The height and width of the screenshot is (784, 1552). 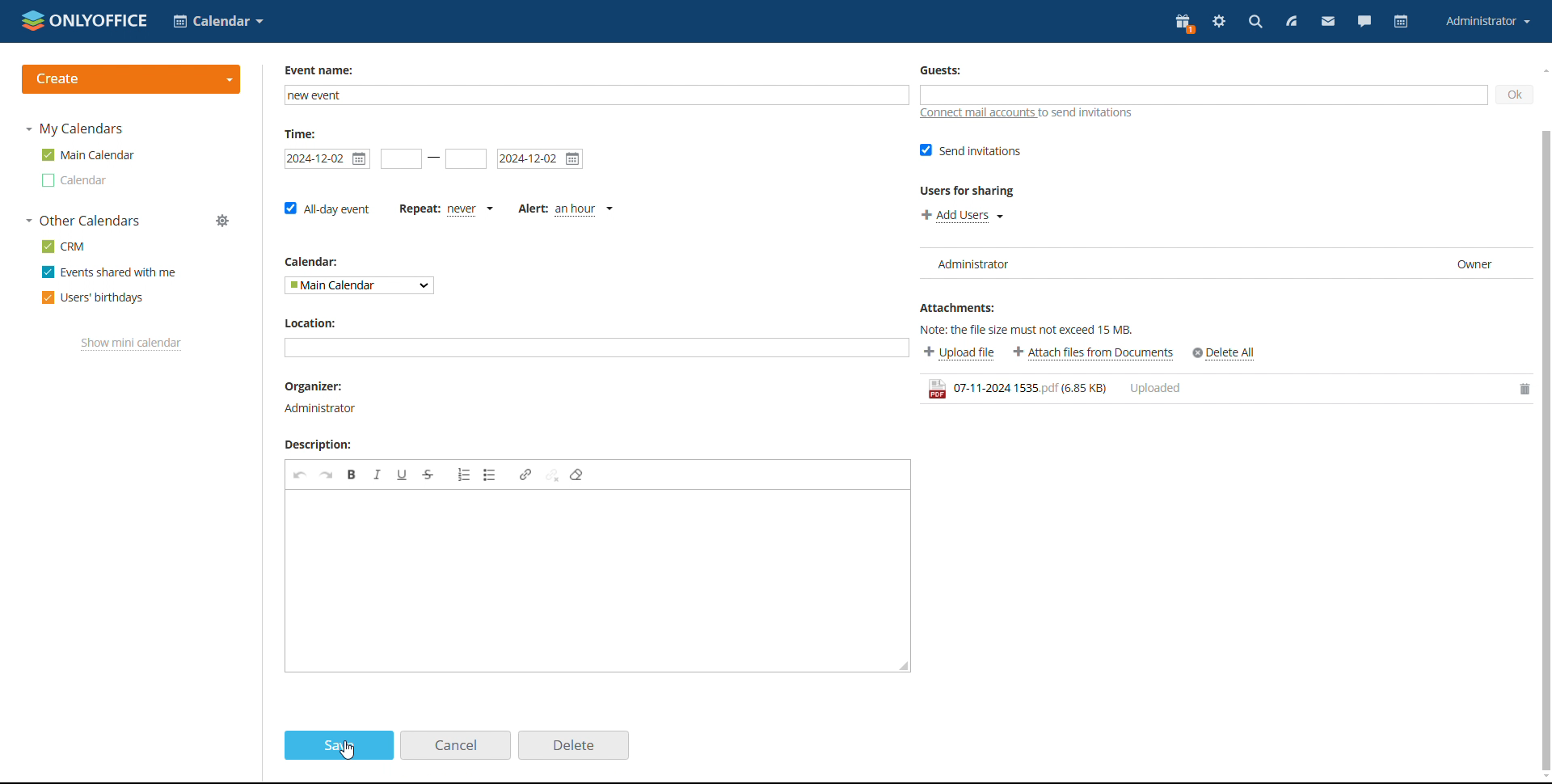 What do you see at coordinates (959, 302) in the screenshot?
I see `Attachments ` at bounding box center [959, 302].